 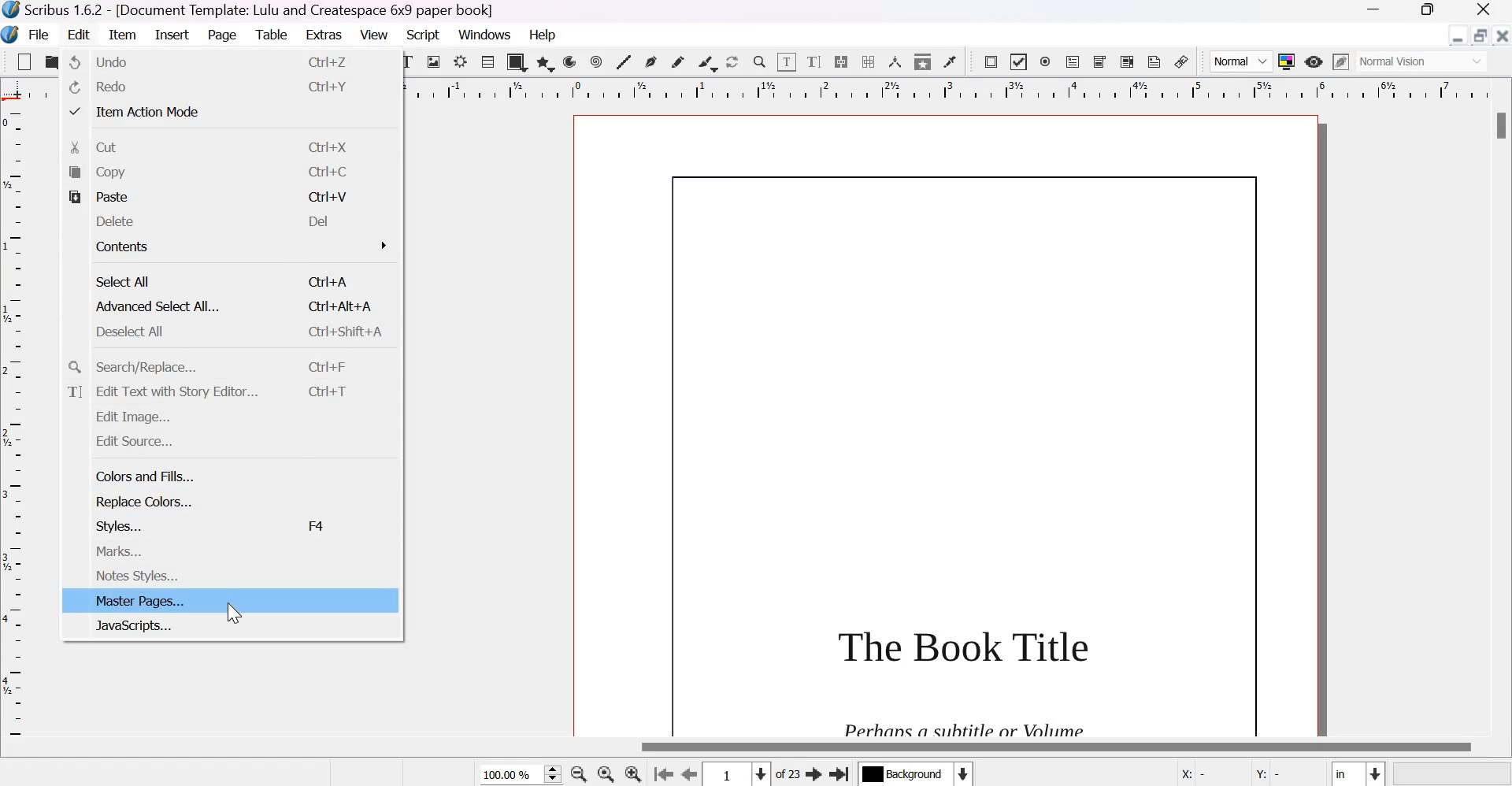 What do you see at coordinates (736, 774) in the screenshot?
I see `Select the current page` at bounding box center [736, 774].